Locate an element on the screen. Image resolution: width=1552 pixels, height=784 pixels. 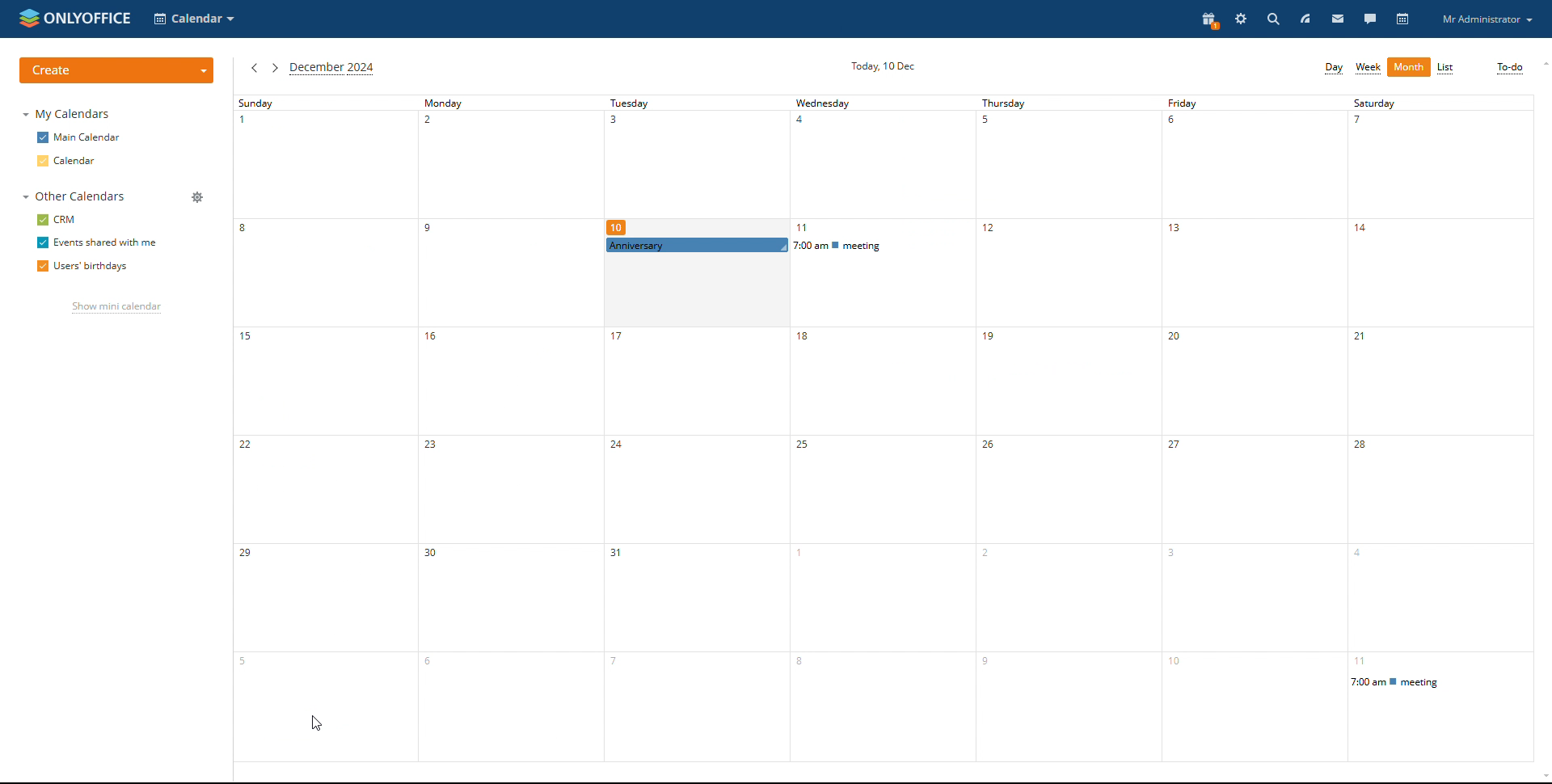
scroll up is located at coordinates (1542, 65).